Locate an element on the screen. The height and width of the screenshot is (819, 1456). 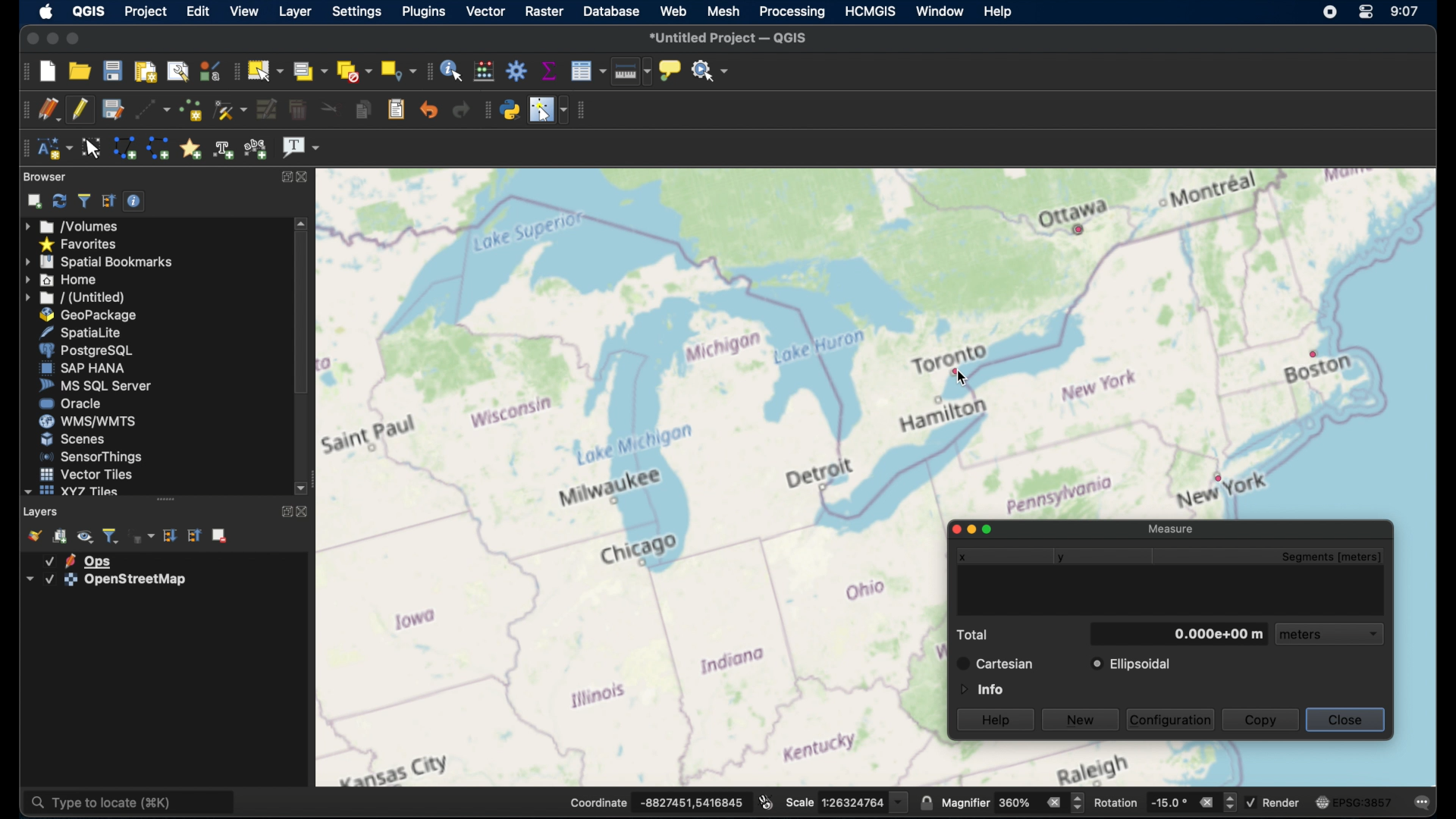
minimize is located at coordinates (51, 38).